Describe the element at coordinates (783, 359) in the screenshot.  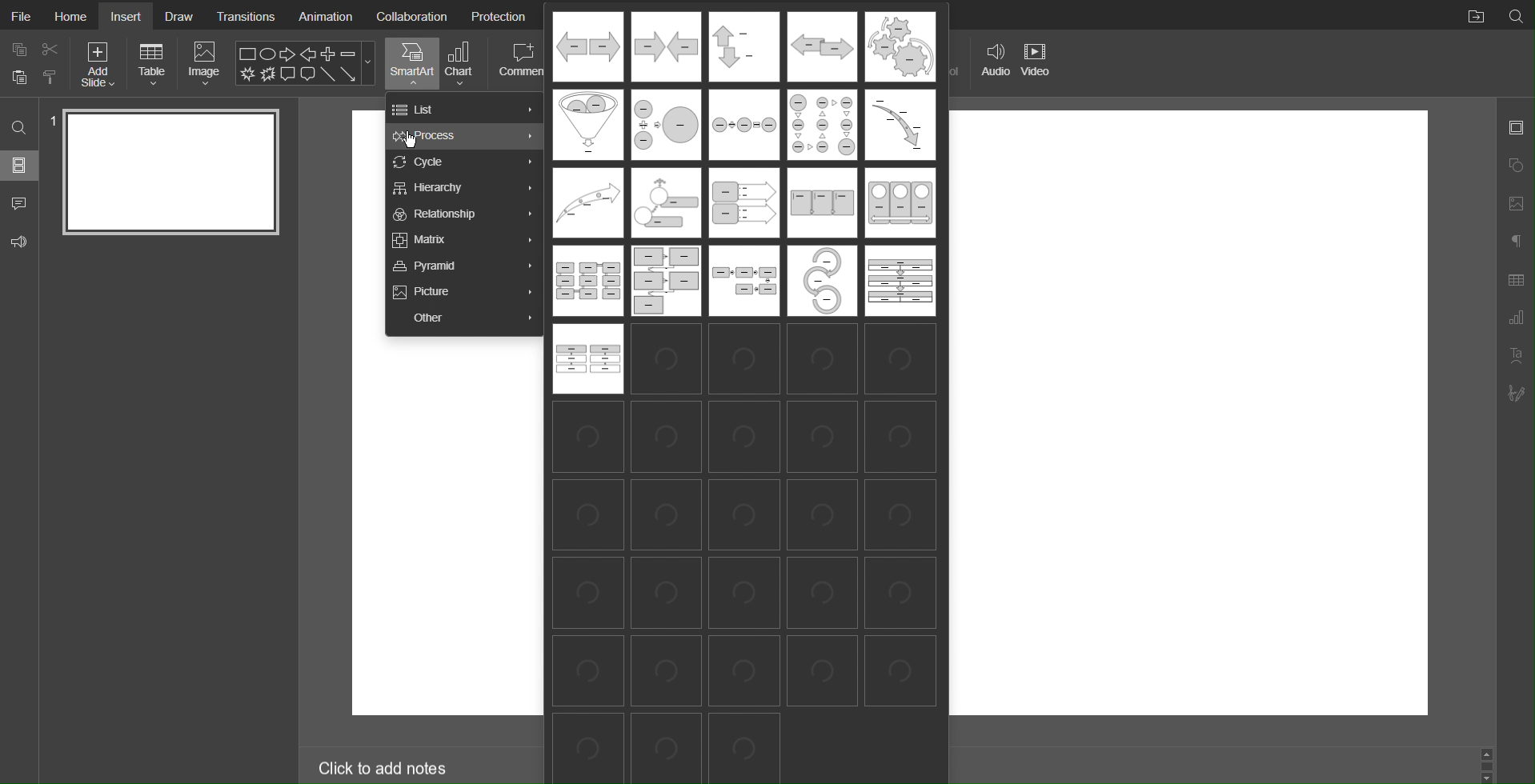
I see `process templates loading` at that location.